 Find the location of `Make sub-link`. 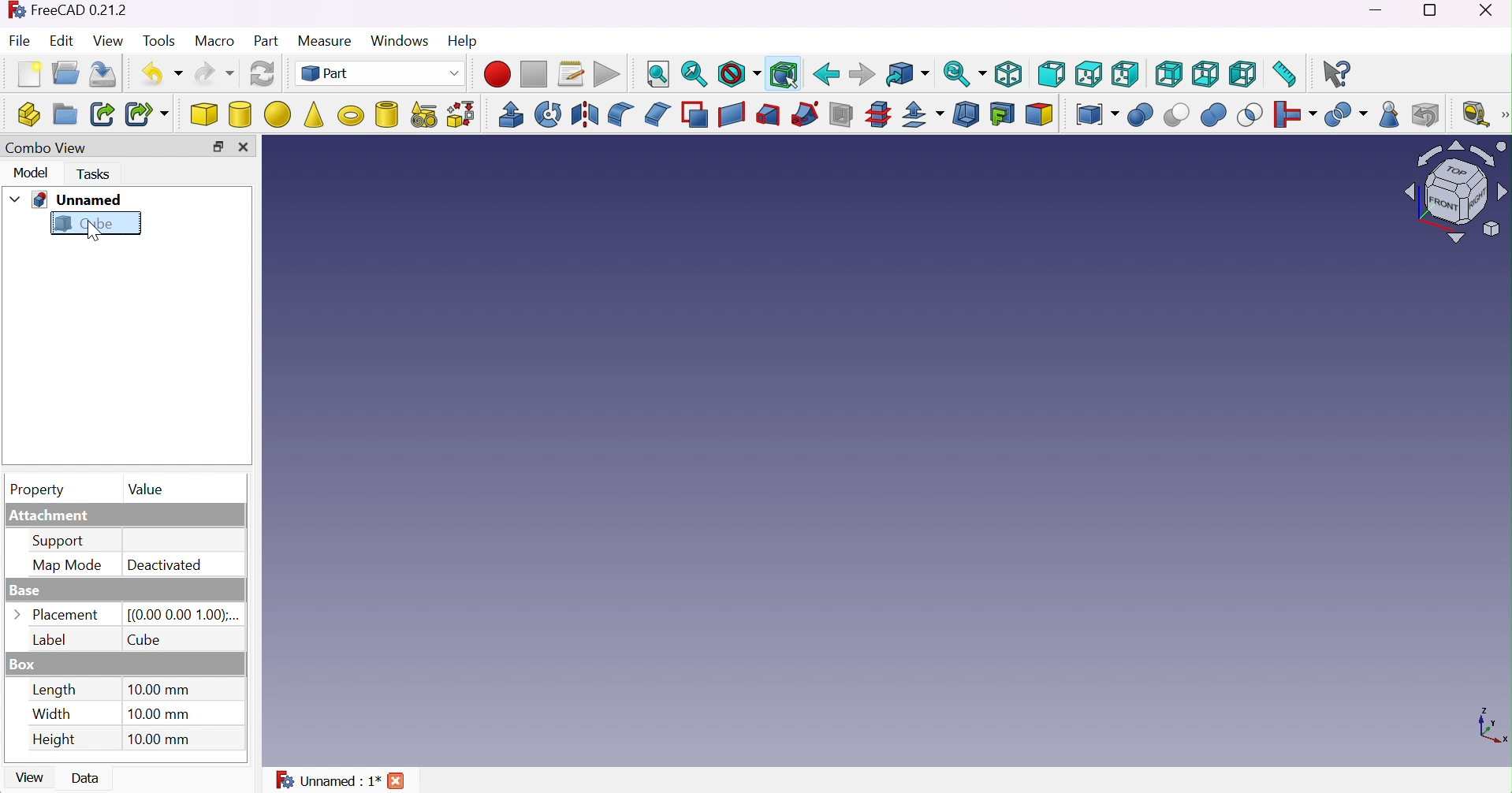

Make sub-link is located at coordinates (146, 116).